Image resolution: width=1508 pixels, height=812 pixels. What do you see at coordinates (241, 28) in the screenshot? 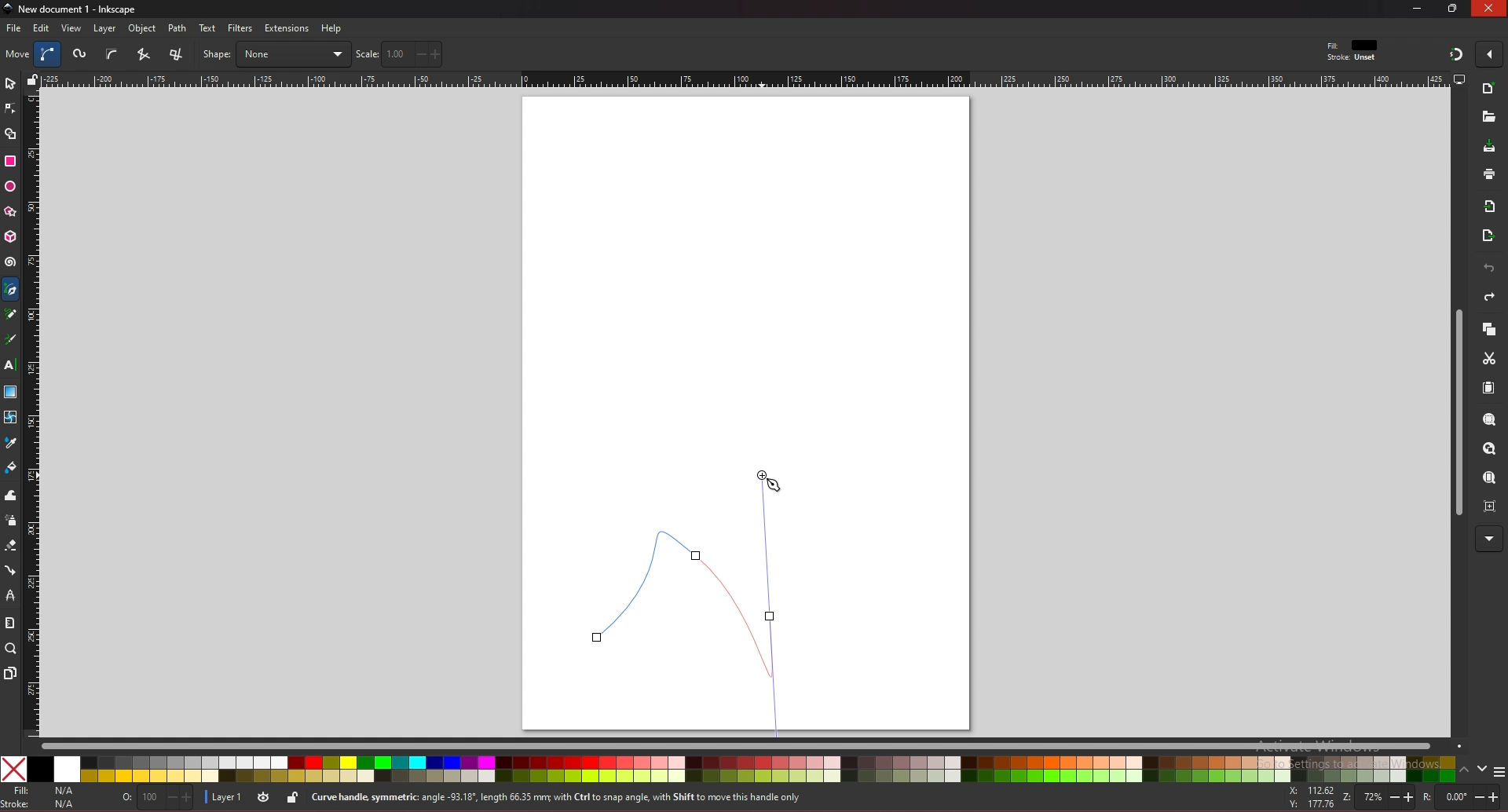
I see `filters` at bounding box center [241, 28].